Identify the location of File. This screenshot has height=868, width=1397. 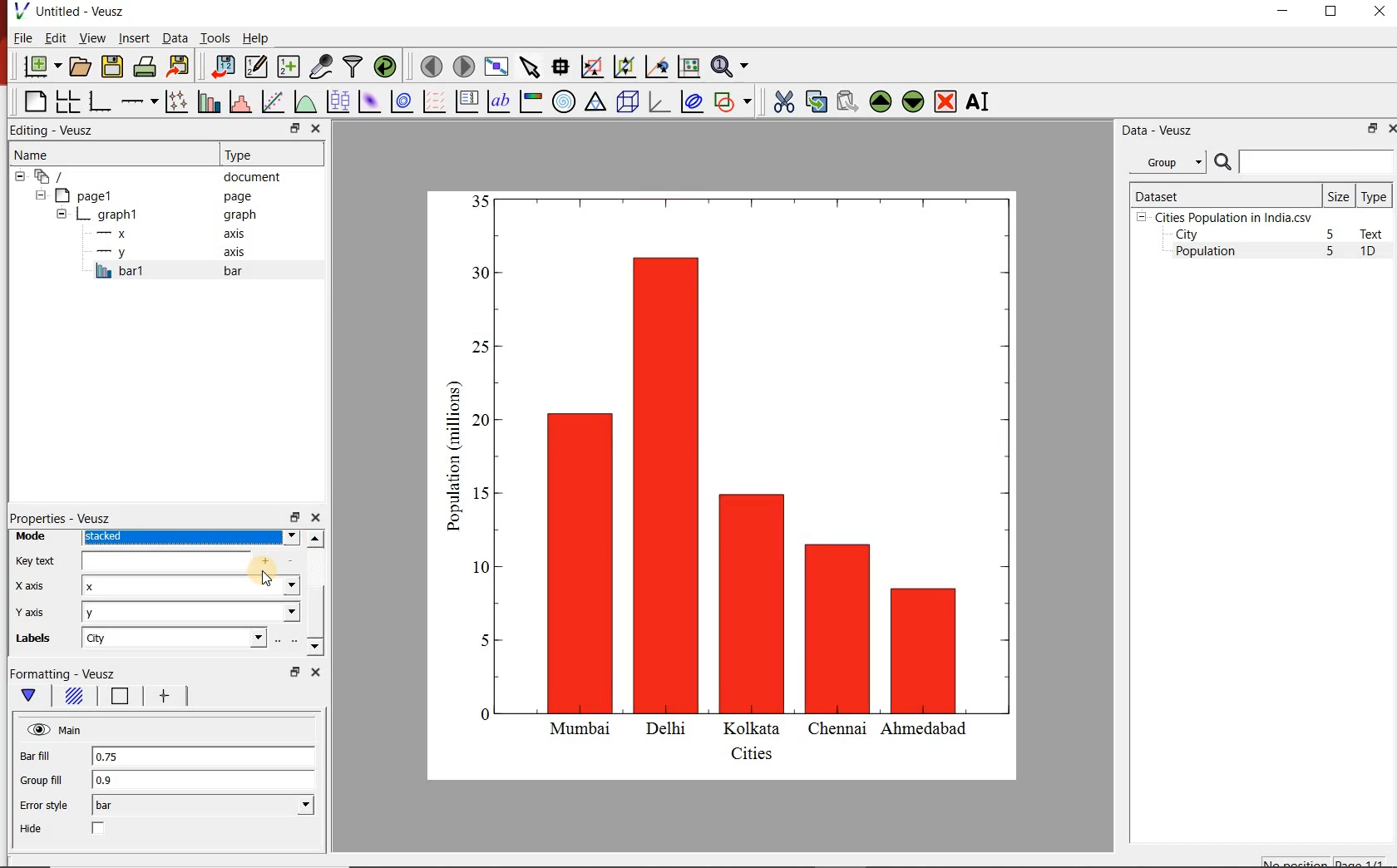
(23, 37).